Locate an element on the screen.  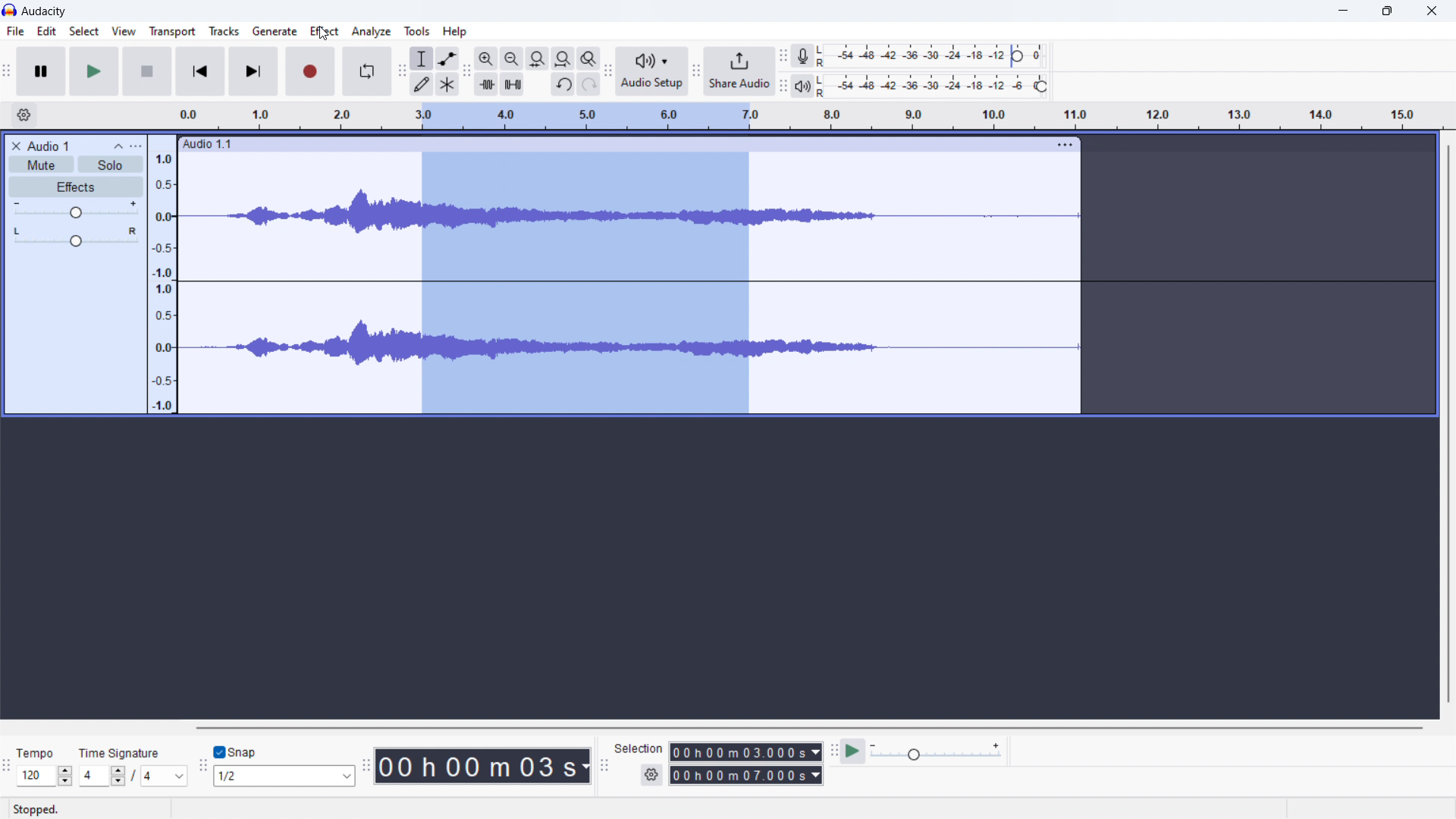
audacity is located at coordinates (45, 12).